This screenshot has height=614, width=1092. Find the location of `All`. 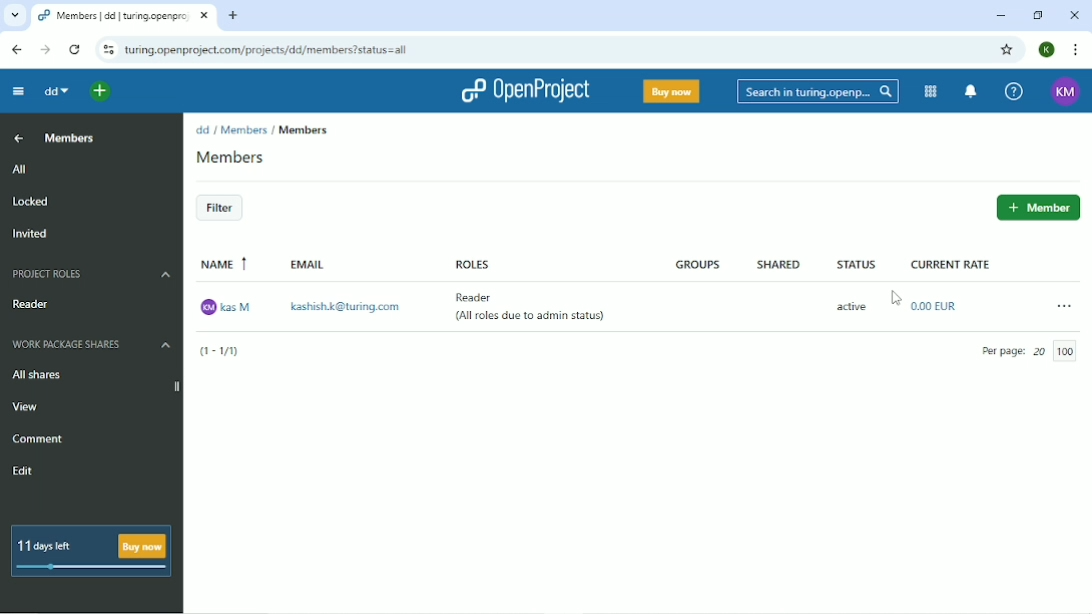

All is located at coordinates (90, 170).